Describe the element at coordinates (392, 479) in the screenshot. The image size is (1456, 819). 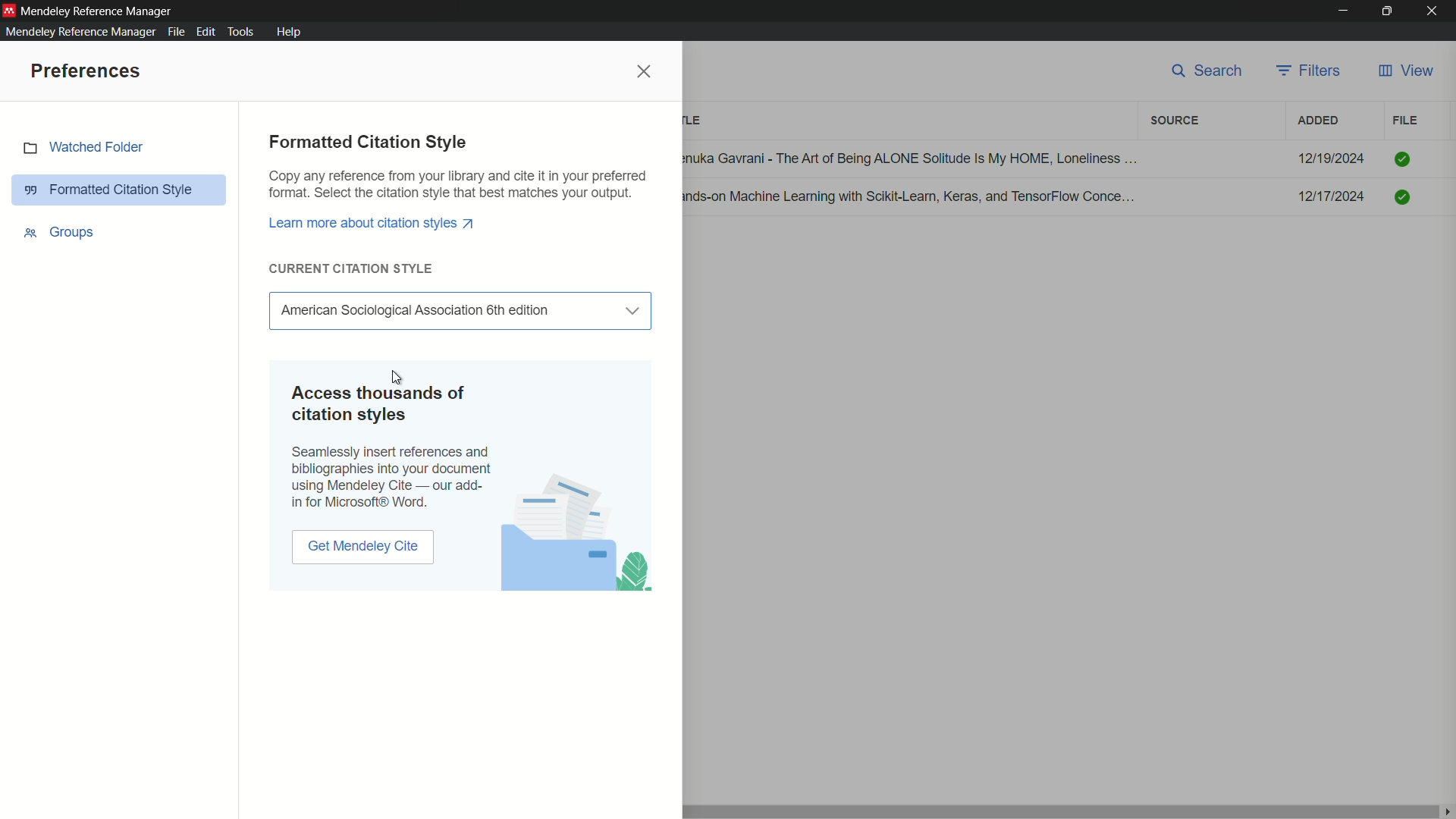
I see `Seamlessly insert references and biographies into your document using Mendeley Cite -our add-in in Microsoft Word` at that location.